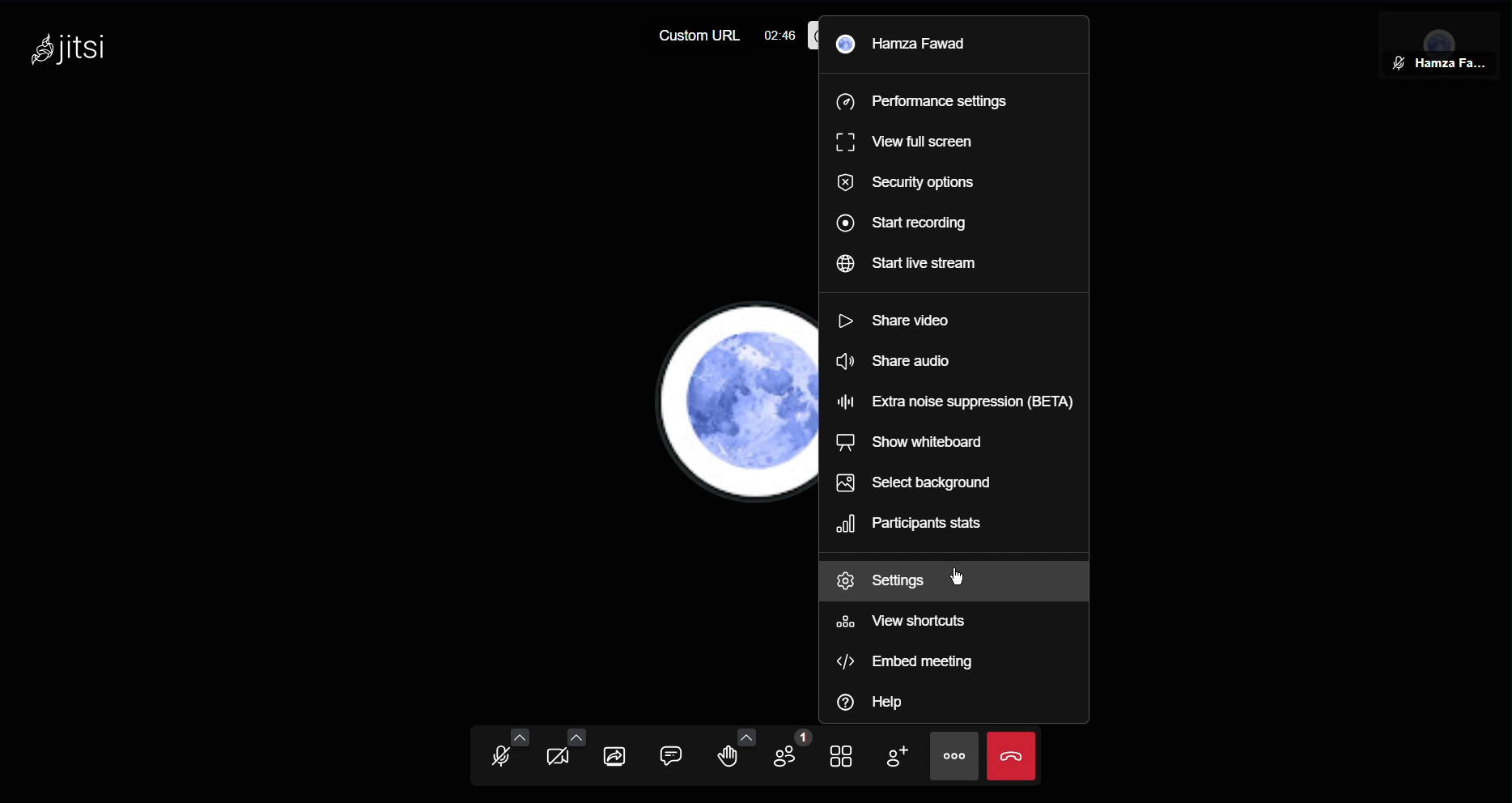  I want to click on Share audio, so click(902, 363).